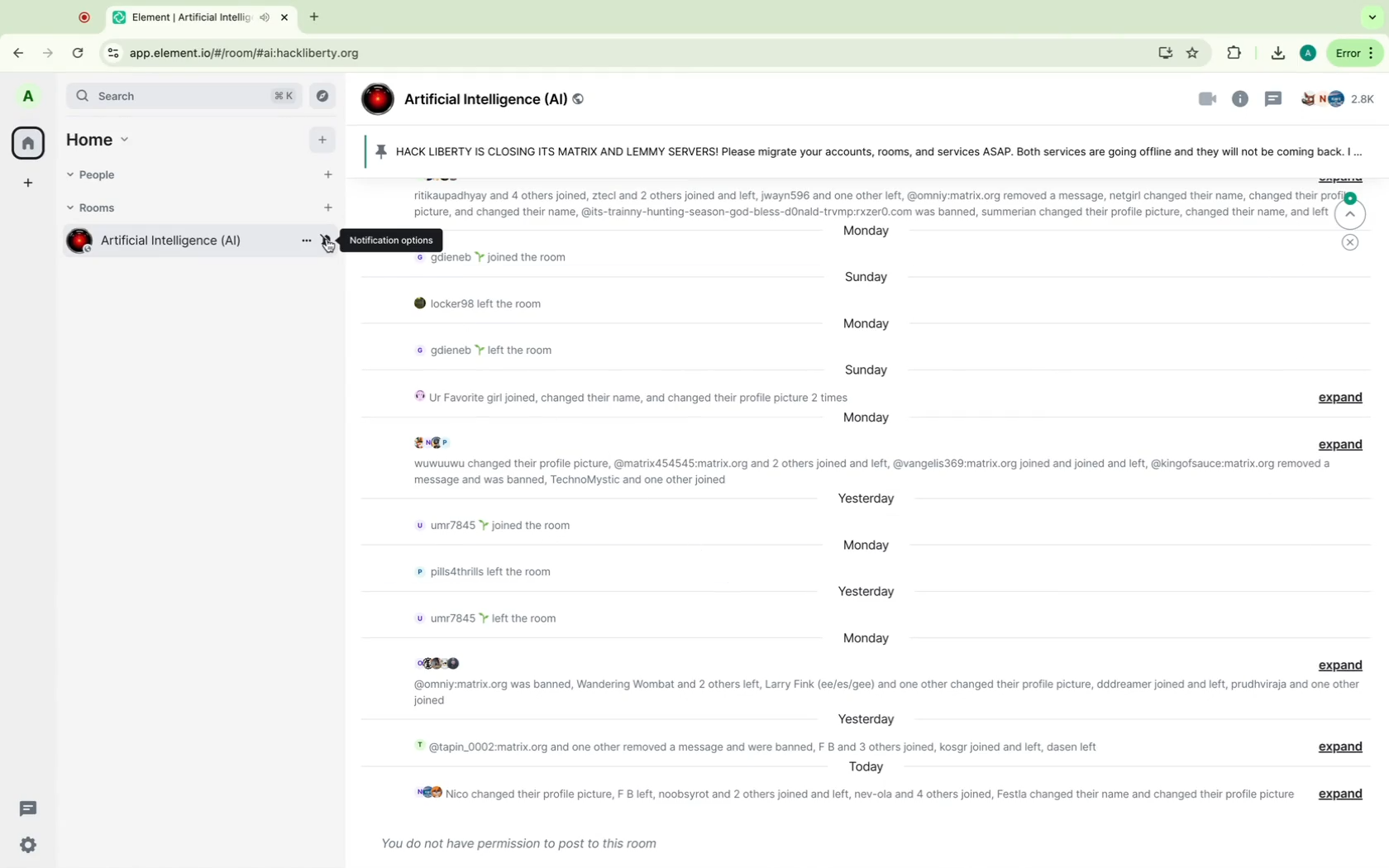  What do you see at coordinates (76, 52) in the screenshot?
I see `refresh` at bounding box center [76, 52].